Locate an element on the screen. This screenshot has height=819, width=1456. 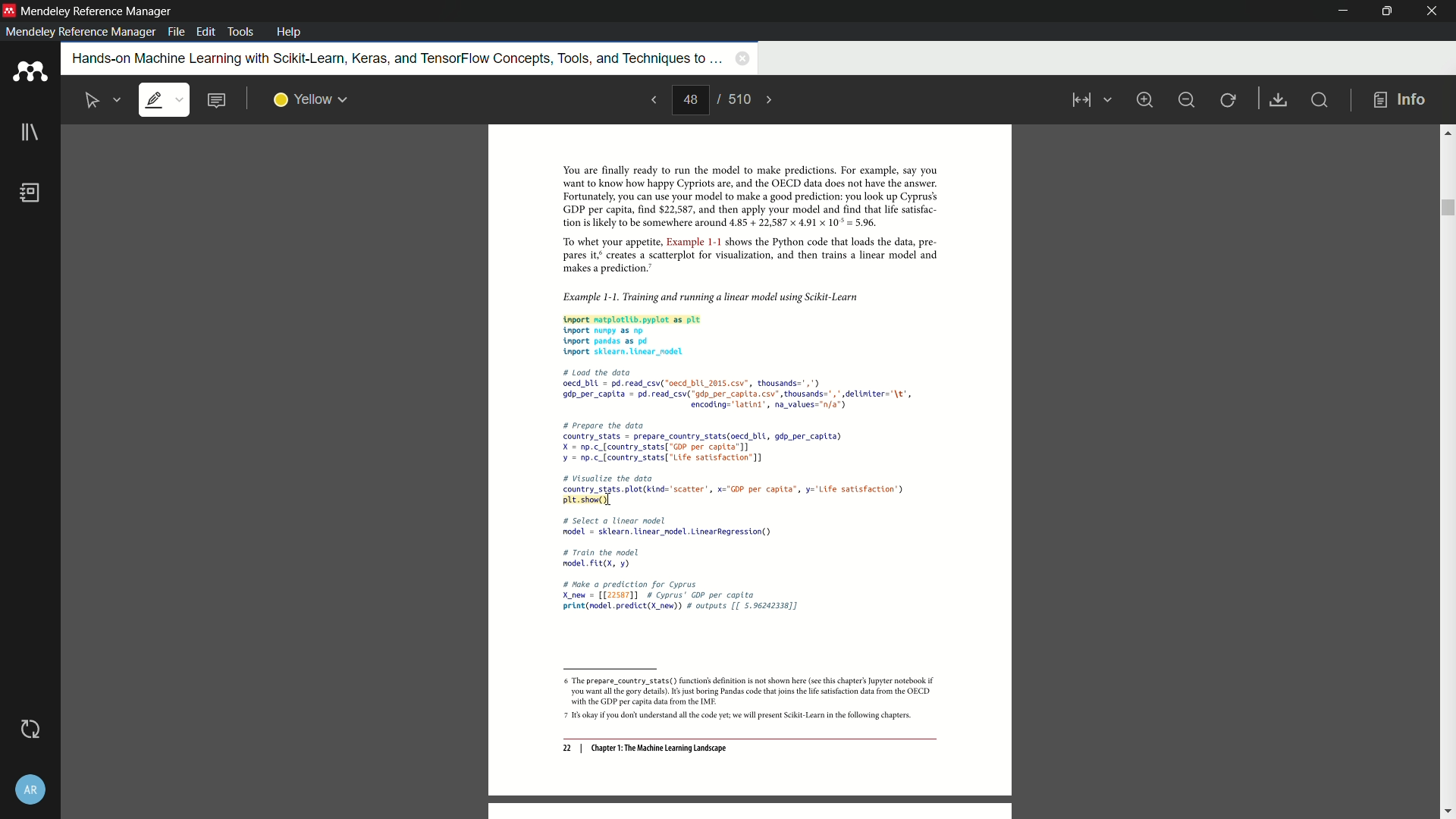
6 The prepare_country_stats() function's definition is not shown here (see this chapter's Jupyter notebook if
‘you want al th gory details). 6s just boring Pandas code that joins th ie satisfaction data from the OECD
‘with the GDP per capita dta from the IMF:

7 1s okay you dont understand all the code yet we will present Scikit-Lear inthe following chapters. is located at coordinates (743, 700).